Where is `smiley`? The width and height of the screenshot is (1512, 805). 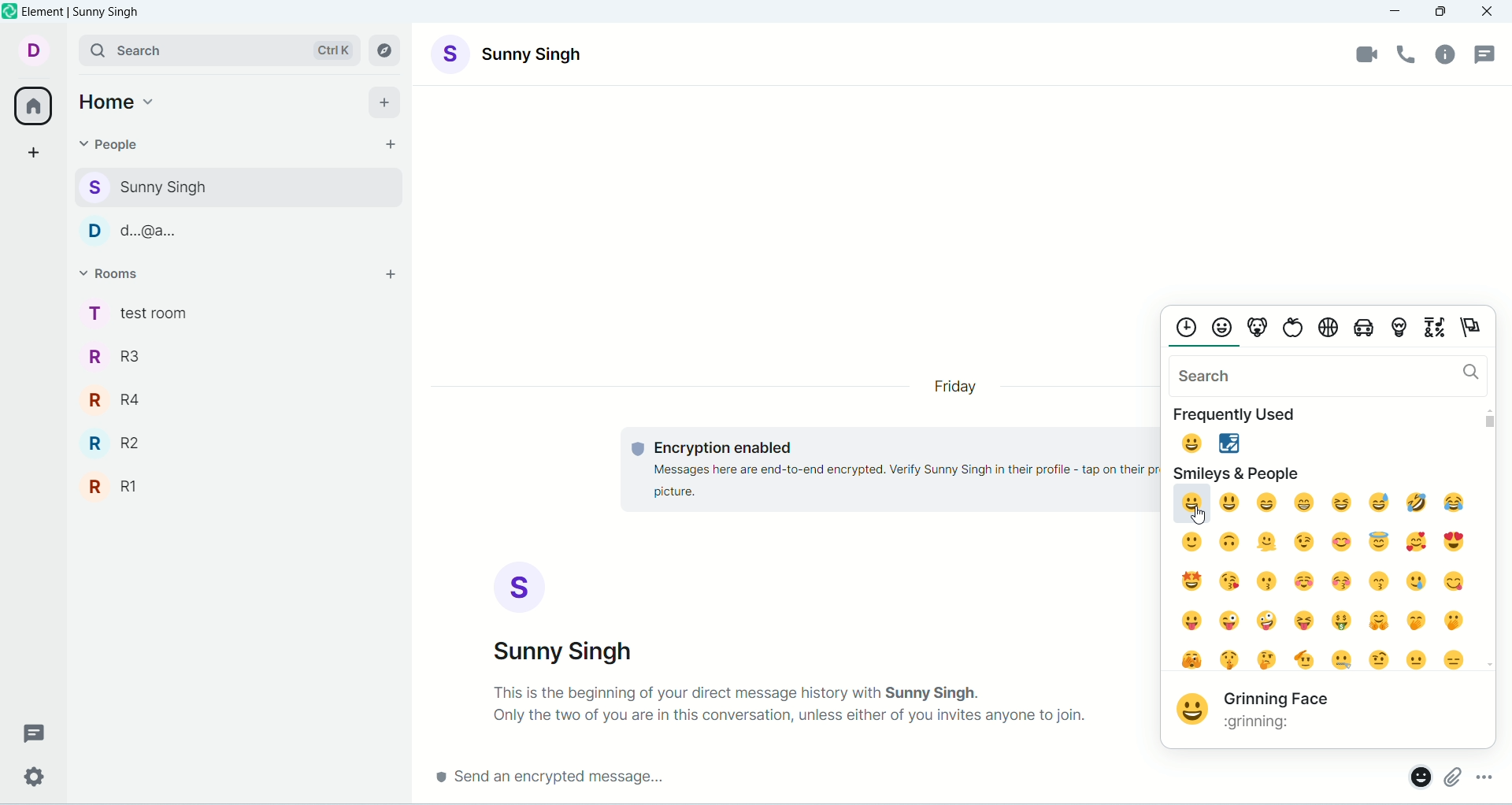
smiley is located at coordinates (1317, 578).